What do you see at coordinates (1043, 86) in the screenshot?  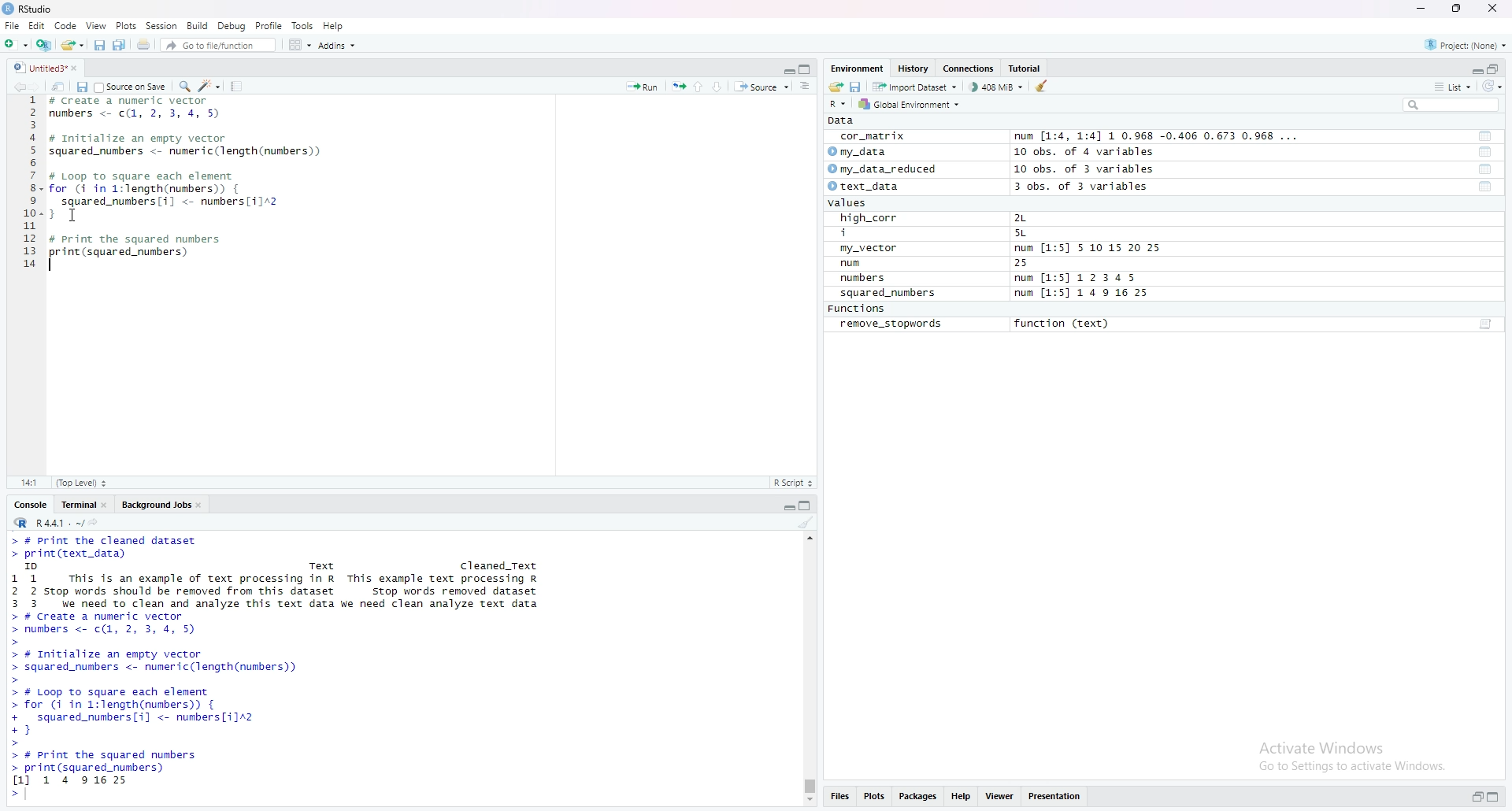 I see `clear objects` at bounding box center [1043, 86].